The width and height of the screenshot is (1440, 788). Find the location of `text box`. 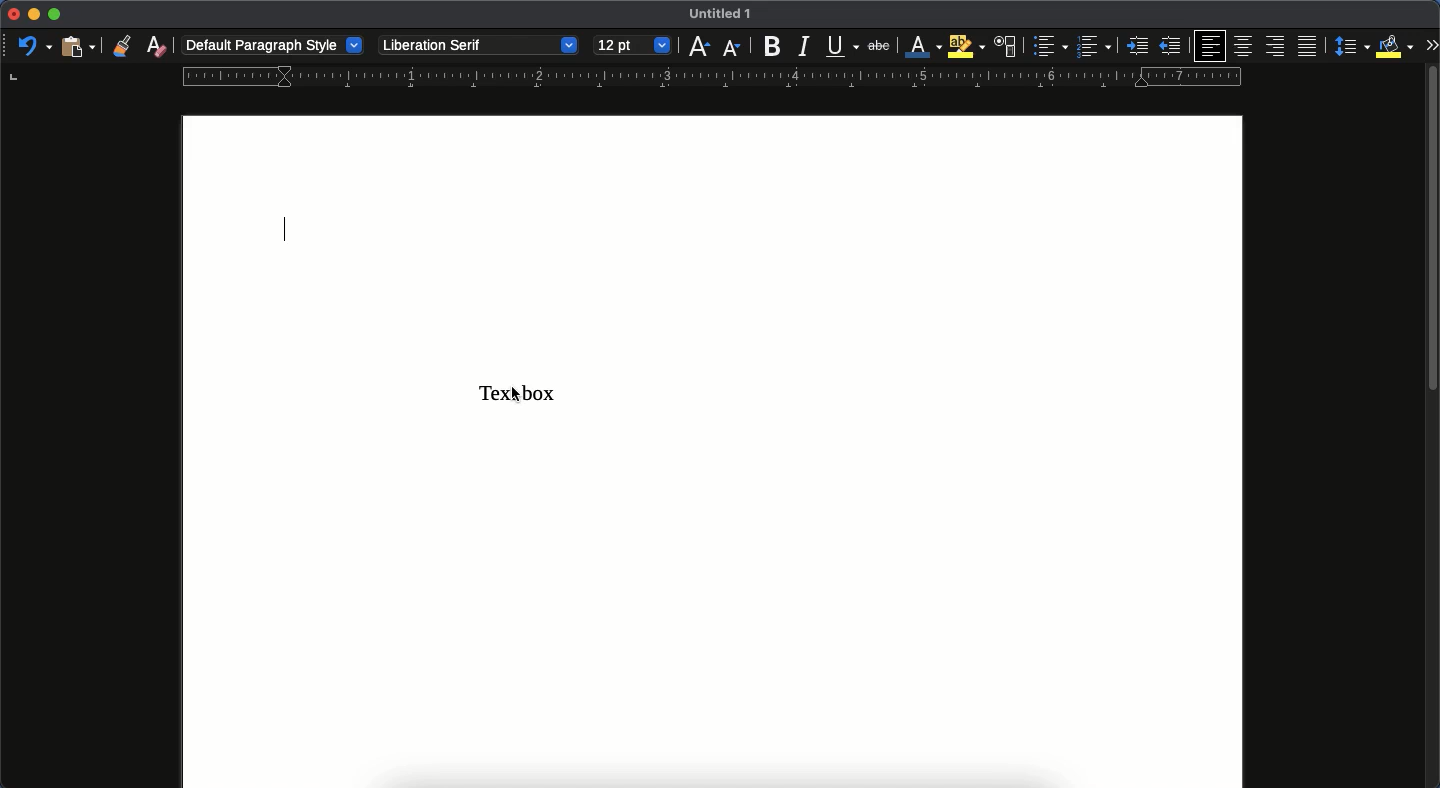

text box is located at coordinates (490, 394).